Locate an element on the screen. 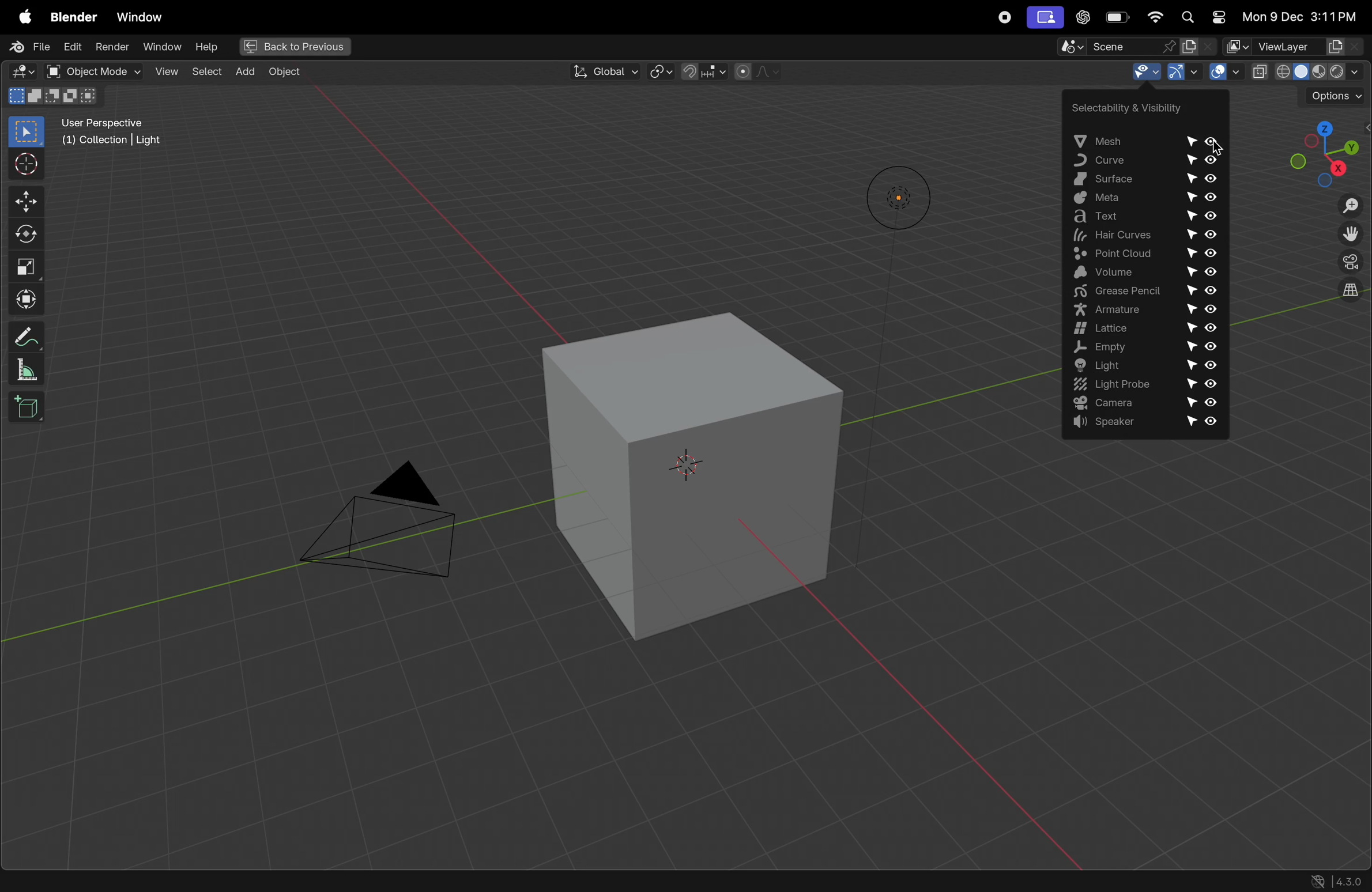 The image size is (1372, 892). wifi is located at coordinates (1153, 17).